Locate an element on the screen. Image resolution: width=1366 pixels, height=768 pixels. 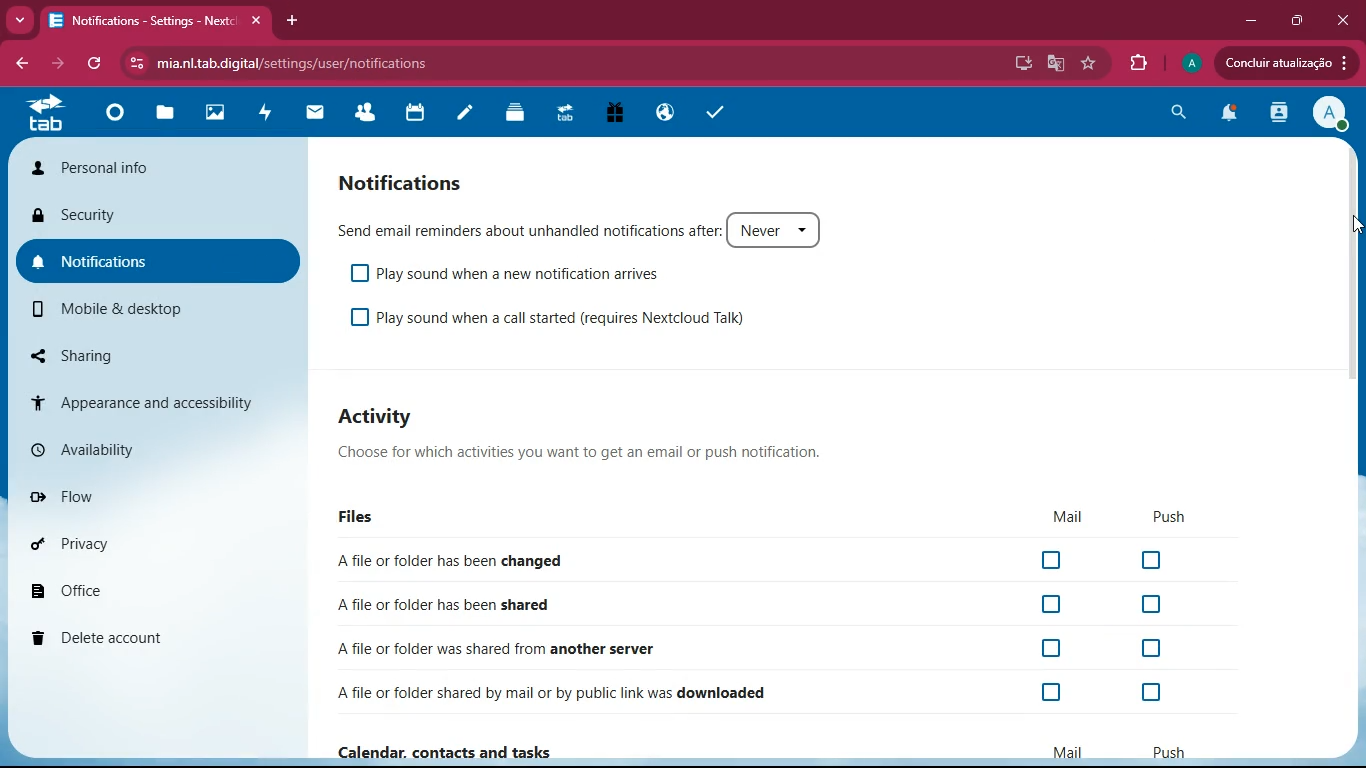
off is located at coordinates (1152, 557).